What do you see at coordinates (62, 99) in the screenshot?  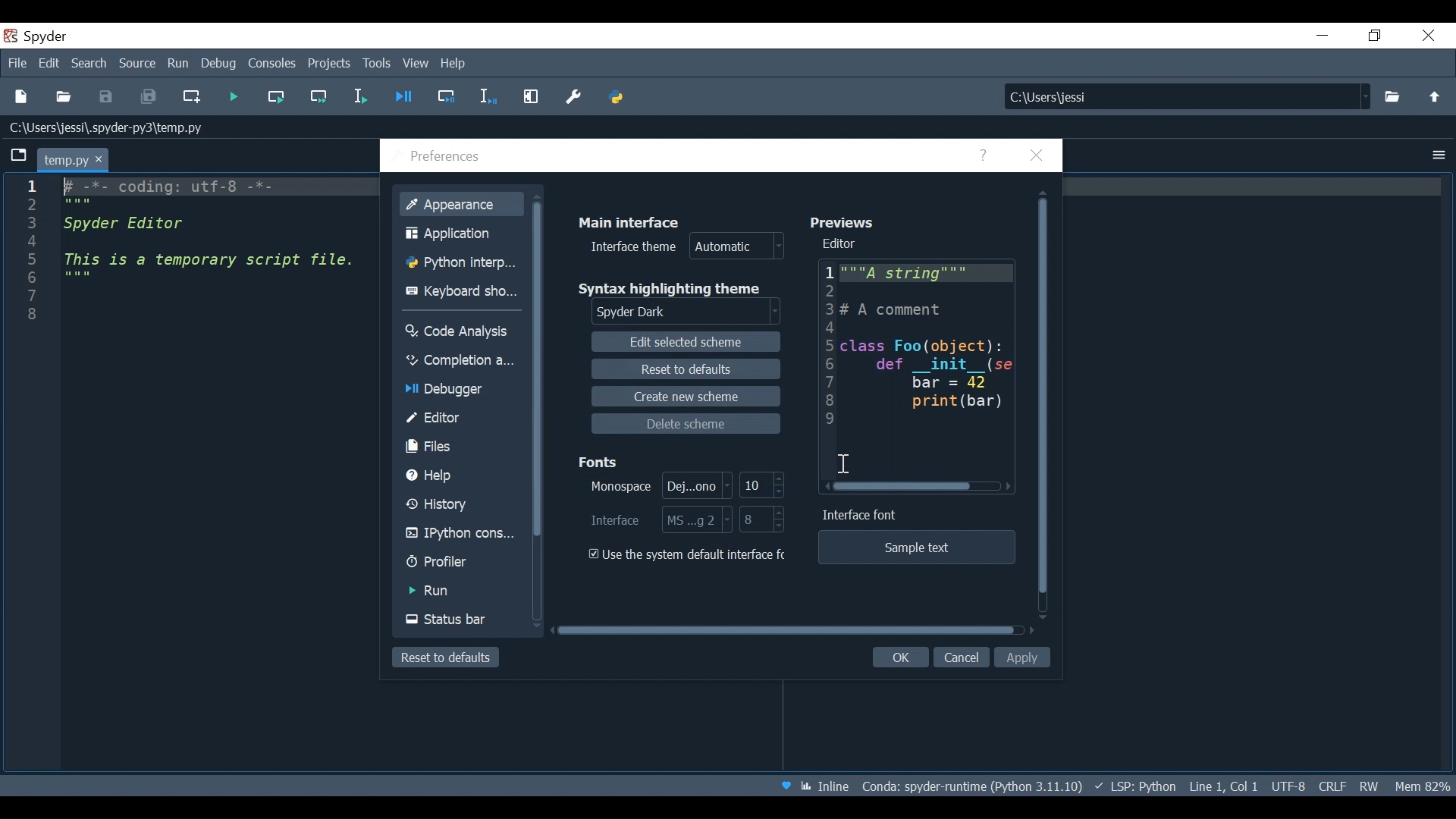 I see `Open File` at bounding box center [62, 99].